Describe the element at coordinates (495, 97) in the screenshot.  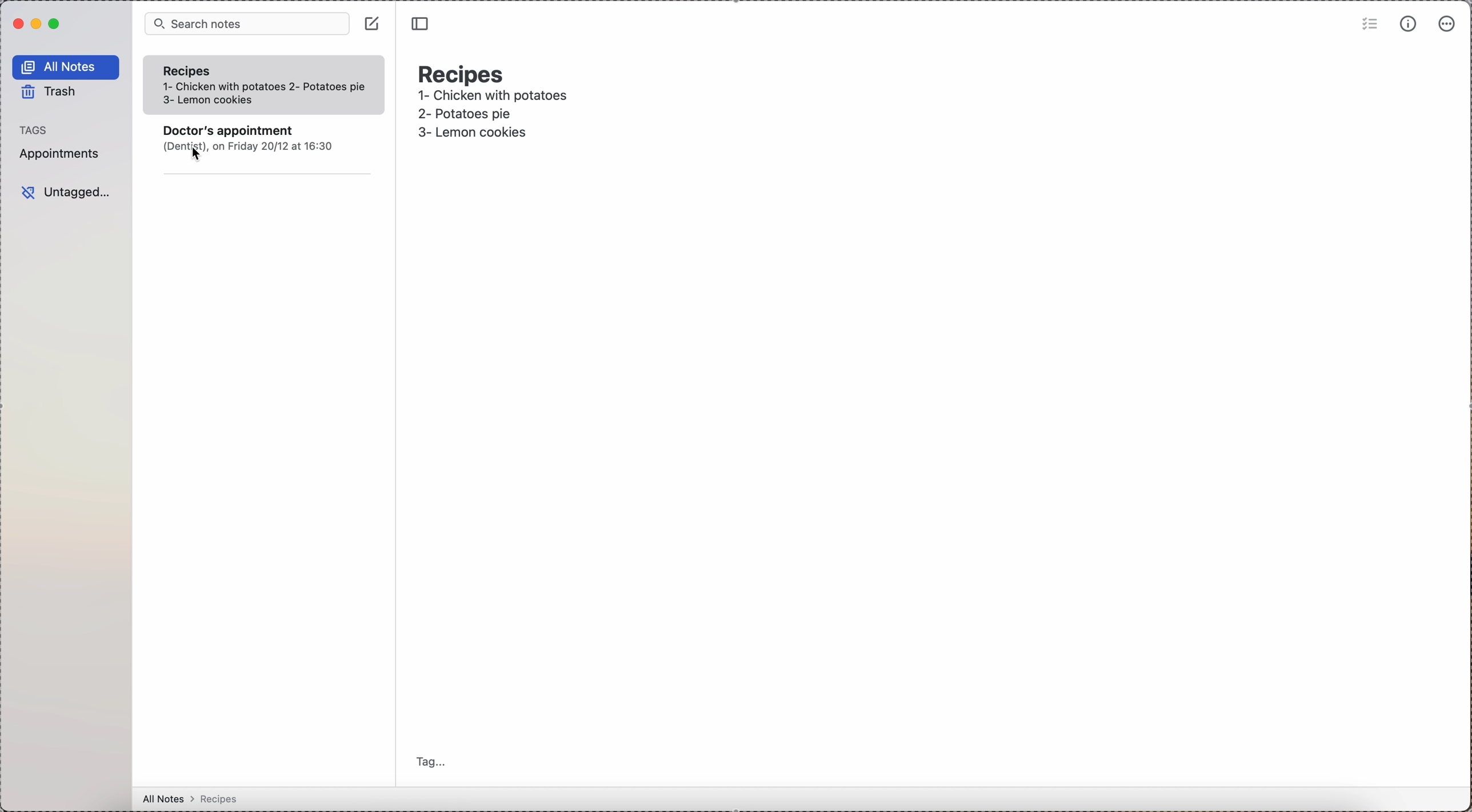
I see `1- Chicken with potatoes` at that location.